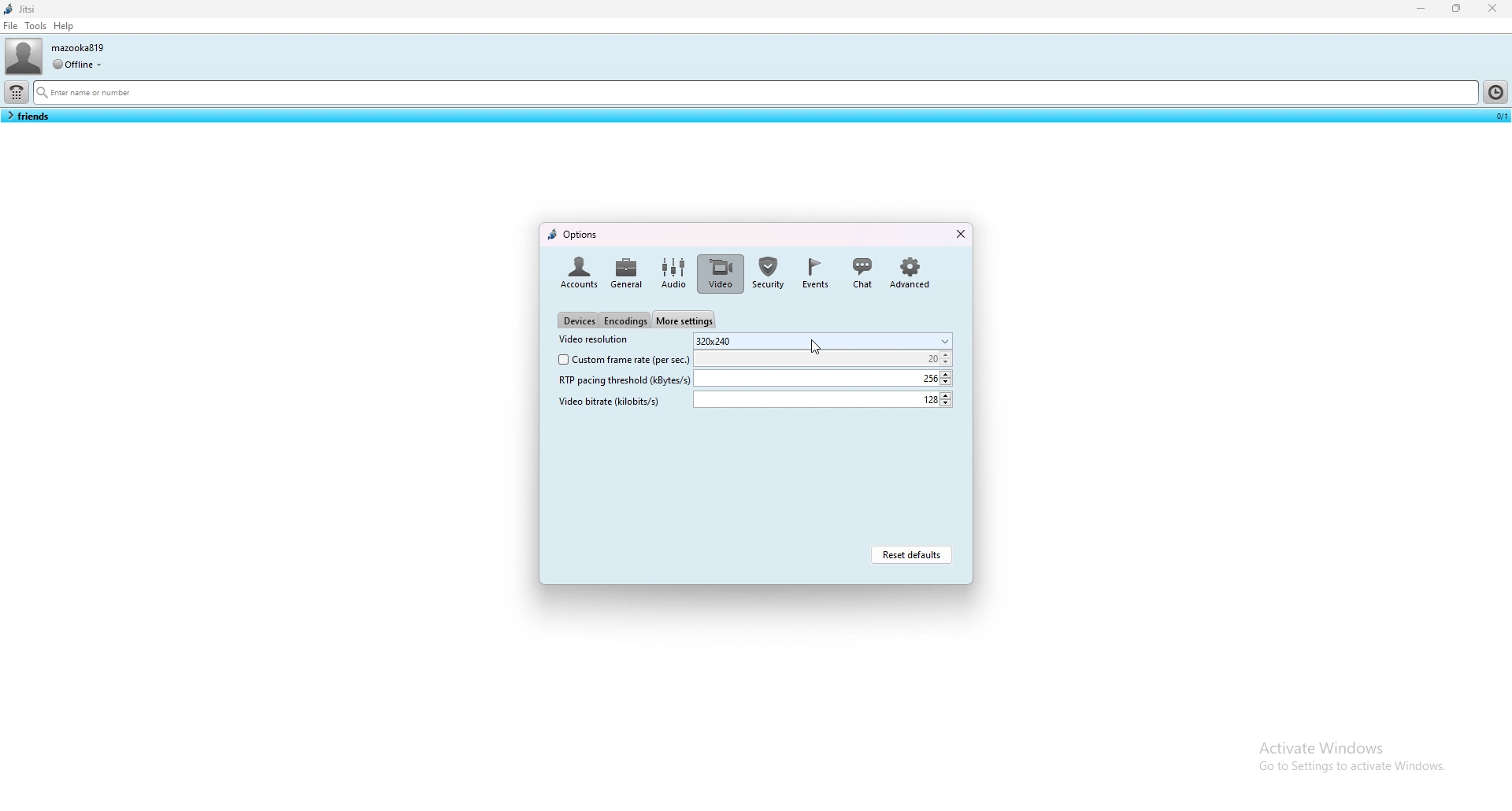 The image size is (1512, 811). I want to click on Audio, so click(673, 273).